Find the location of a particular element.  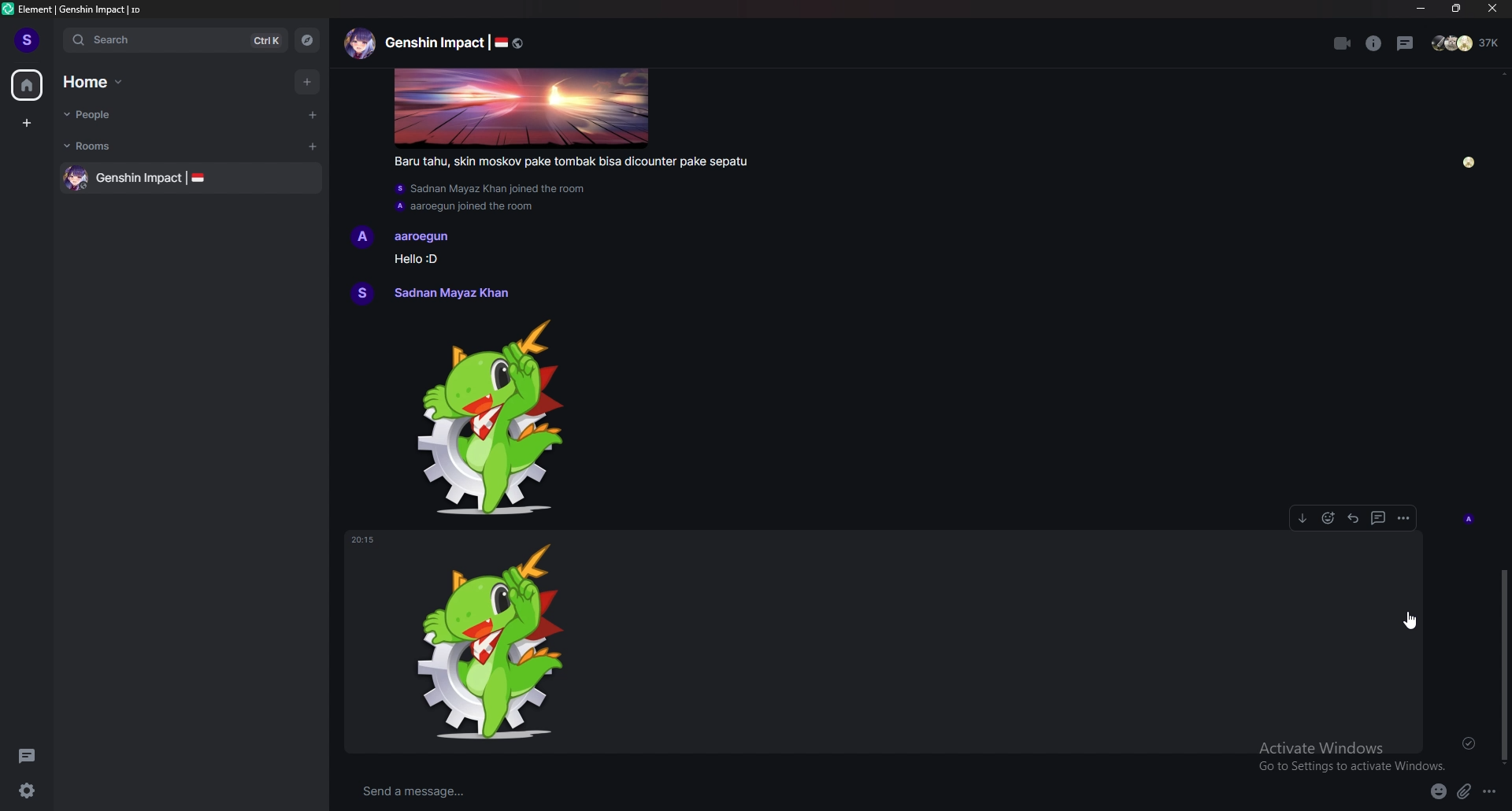

Profile picture is located at coordinates (363, 293).